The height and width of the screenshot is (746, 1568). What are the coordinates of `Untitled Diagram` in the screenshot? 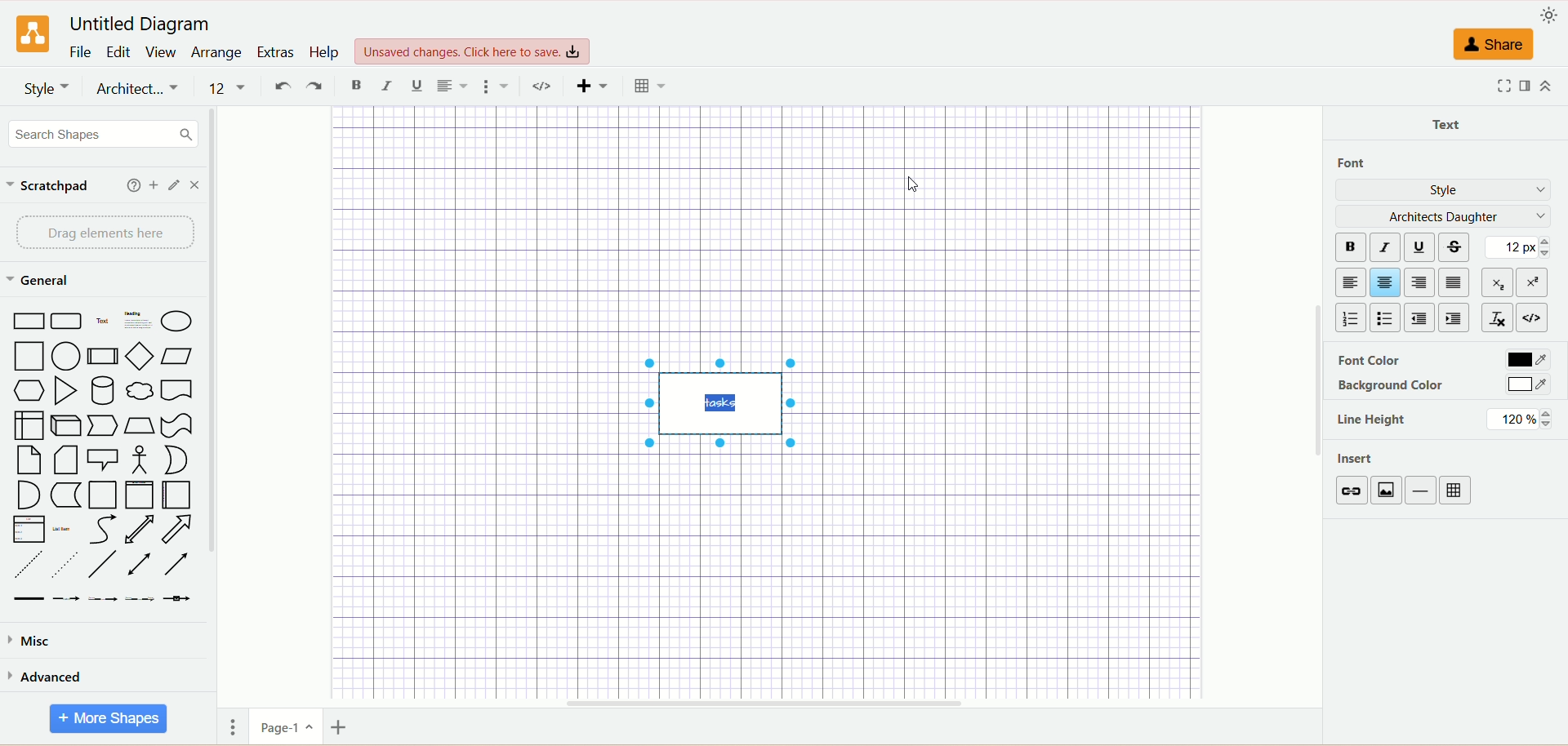 It's located at (141, 26).